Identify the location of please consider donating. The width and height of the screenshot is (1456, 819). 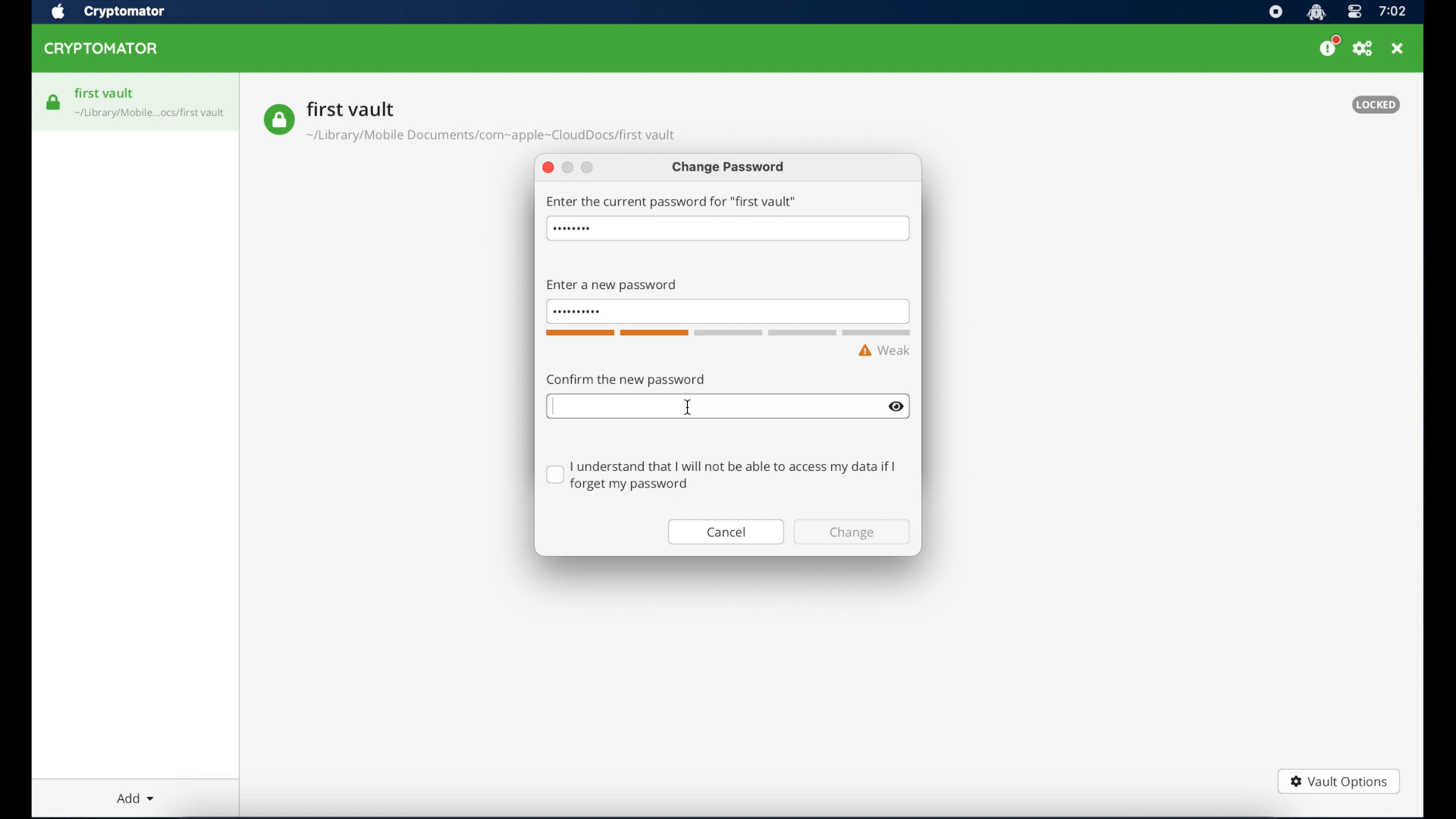
(1329, 46).